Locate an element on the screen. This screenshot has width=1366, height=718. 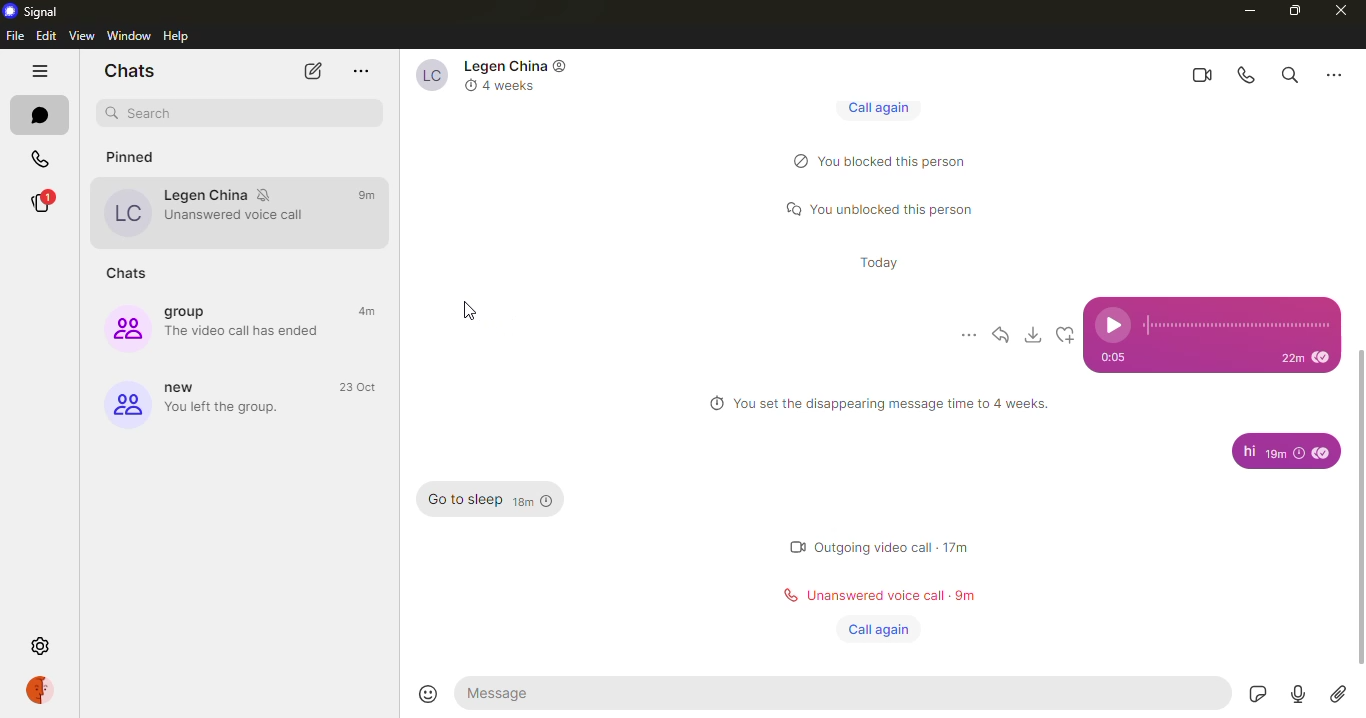
search is located at coordinates (1288, 74).